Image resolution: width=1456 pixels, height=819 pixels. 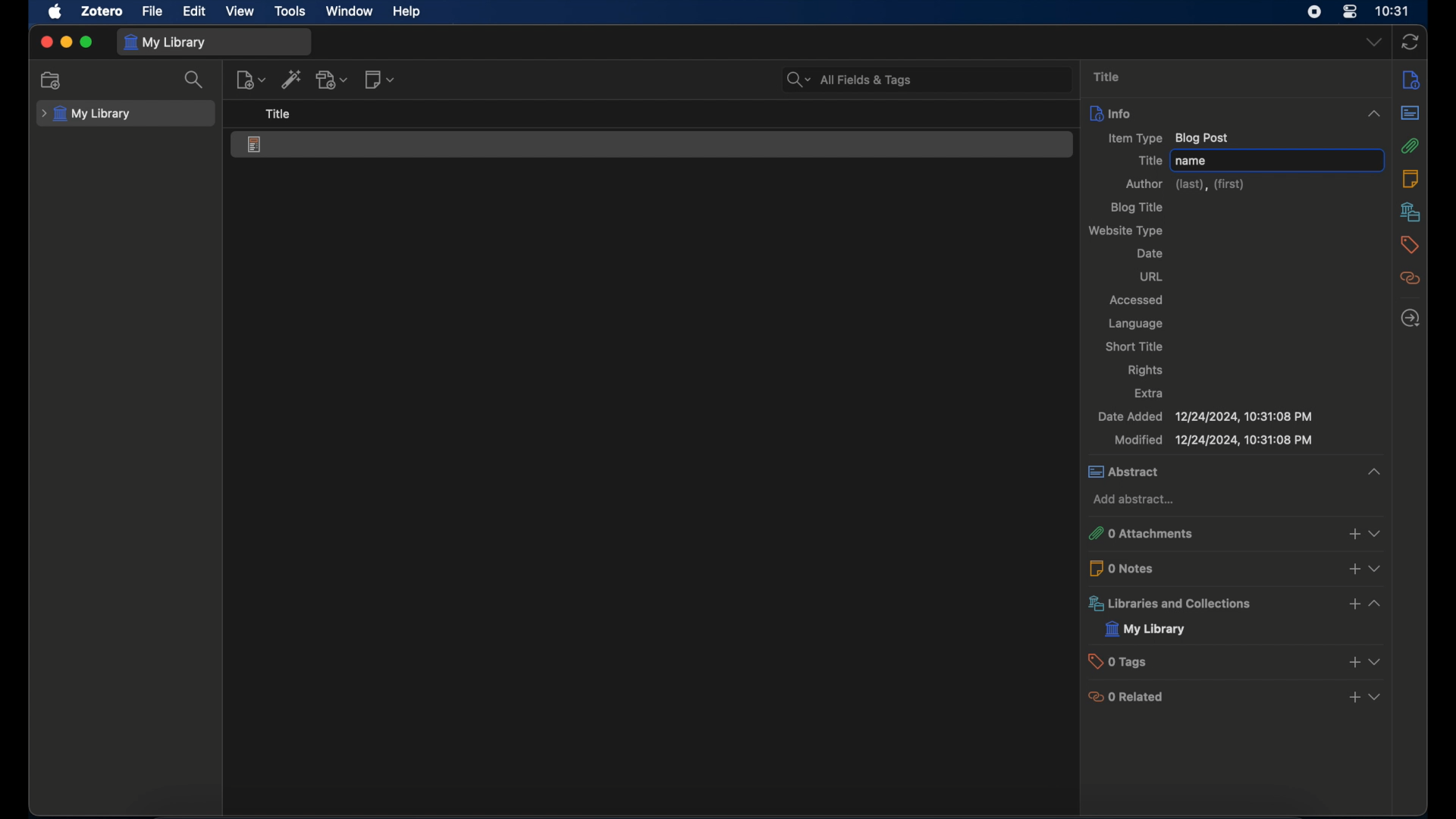 I want to click on title, so click(x=1109, y=77).